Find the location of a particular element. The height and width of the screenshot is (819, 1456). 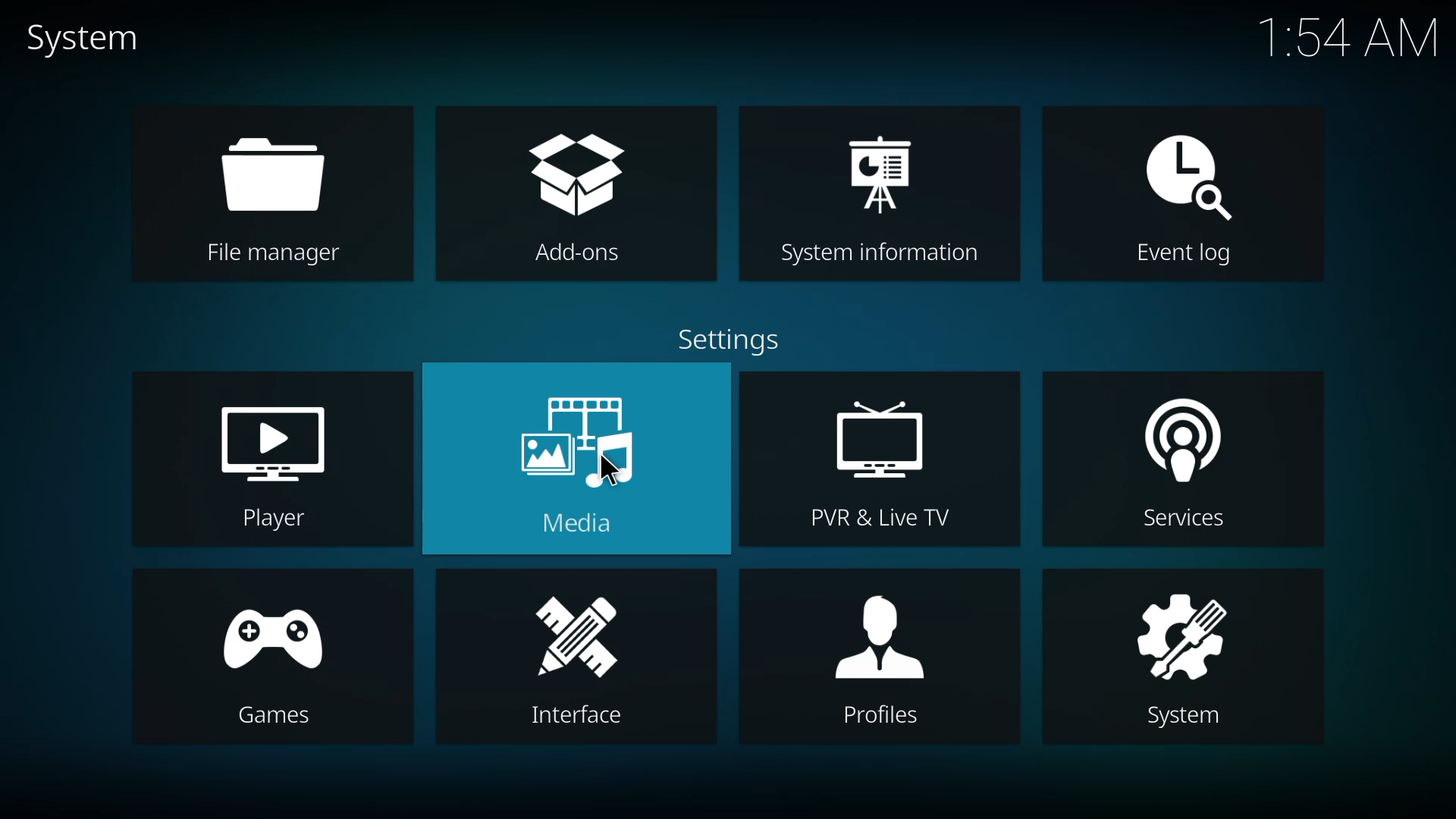

event log is located at coordinates (1178, 197).